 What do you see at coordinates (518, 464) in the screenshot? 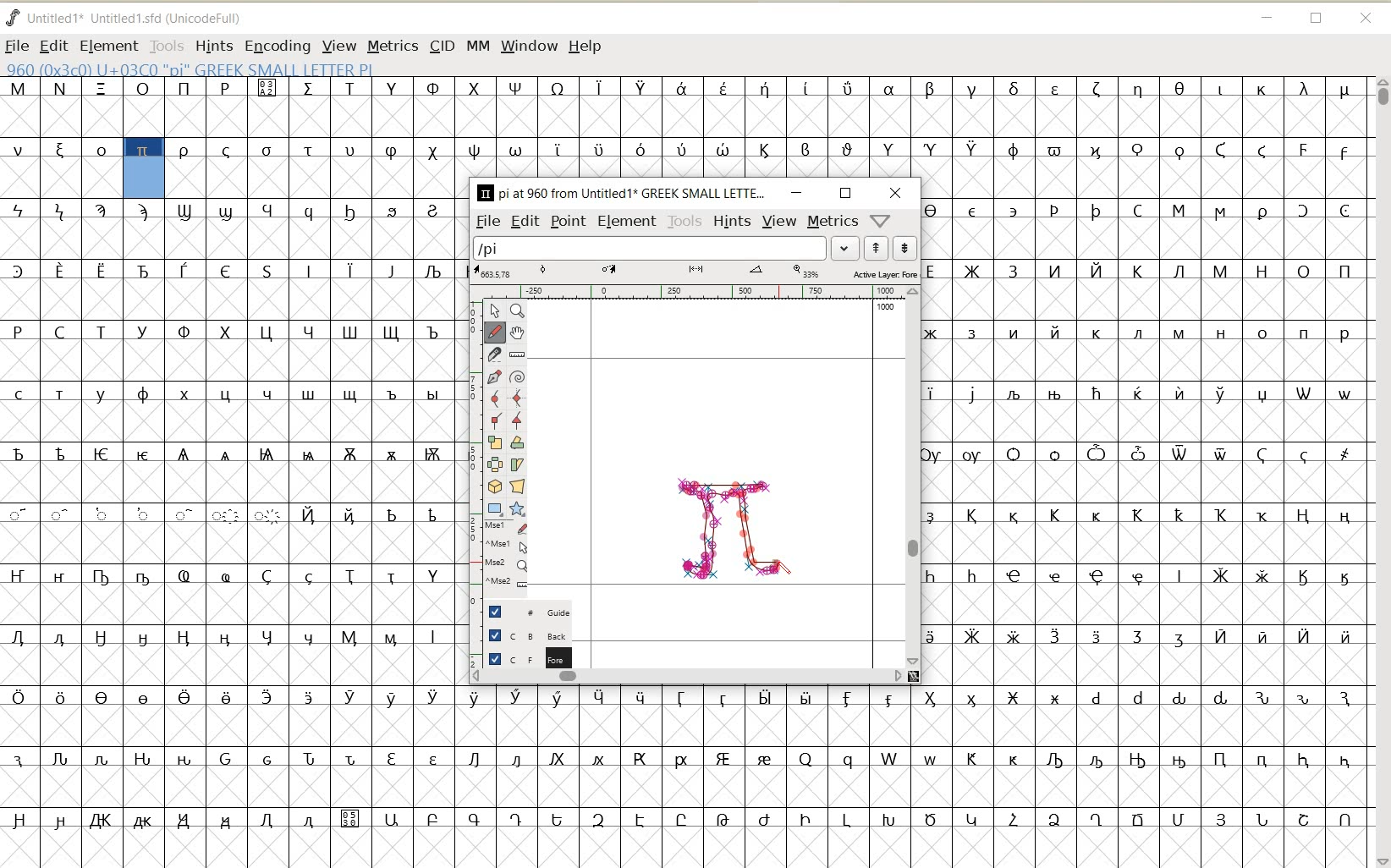
I see `skew the selection` at bounding box center [518, 464].